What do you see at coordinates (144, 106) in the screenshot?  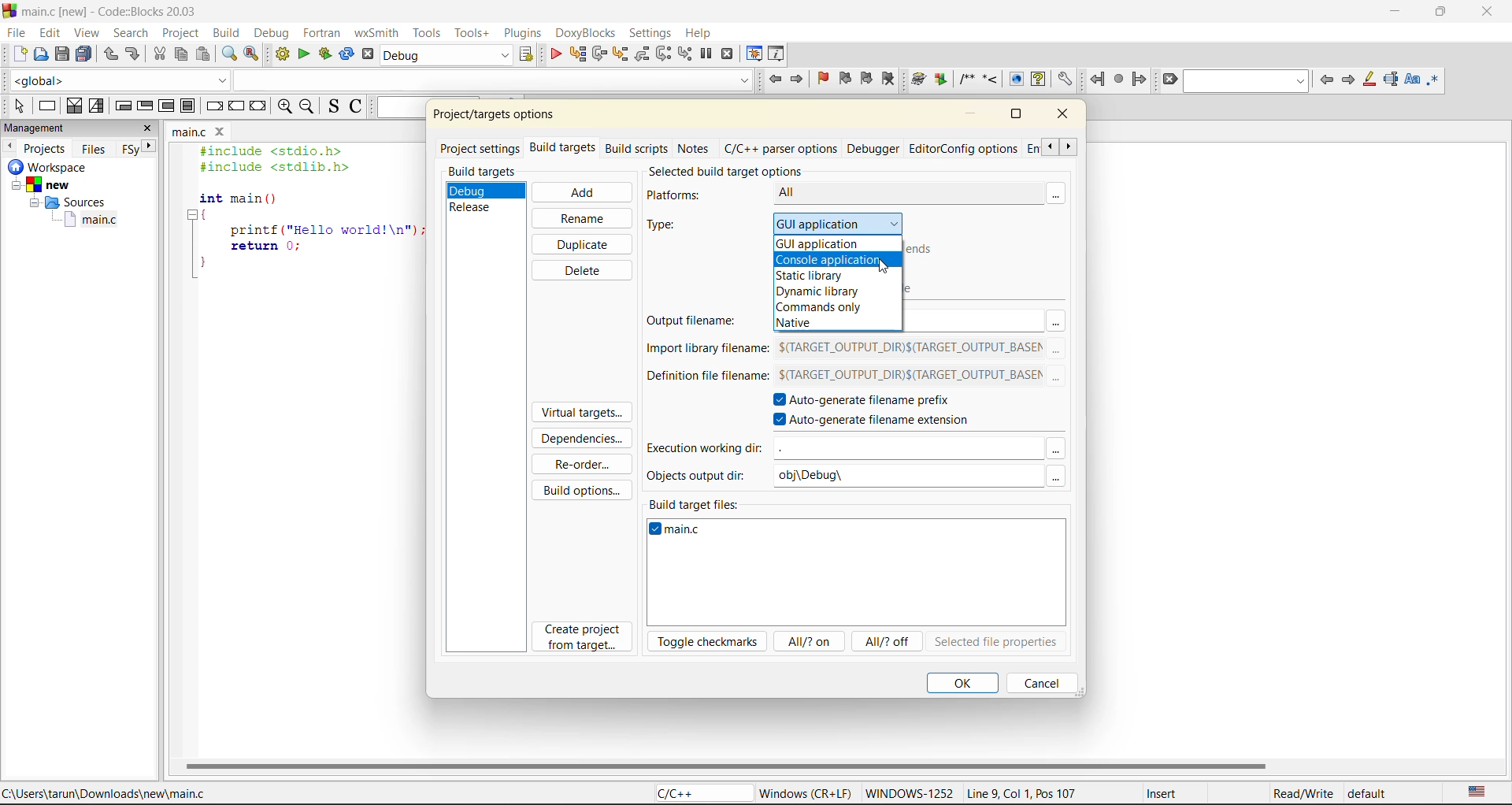 I see `exit condition loop` at bounding box center [144, 106].